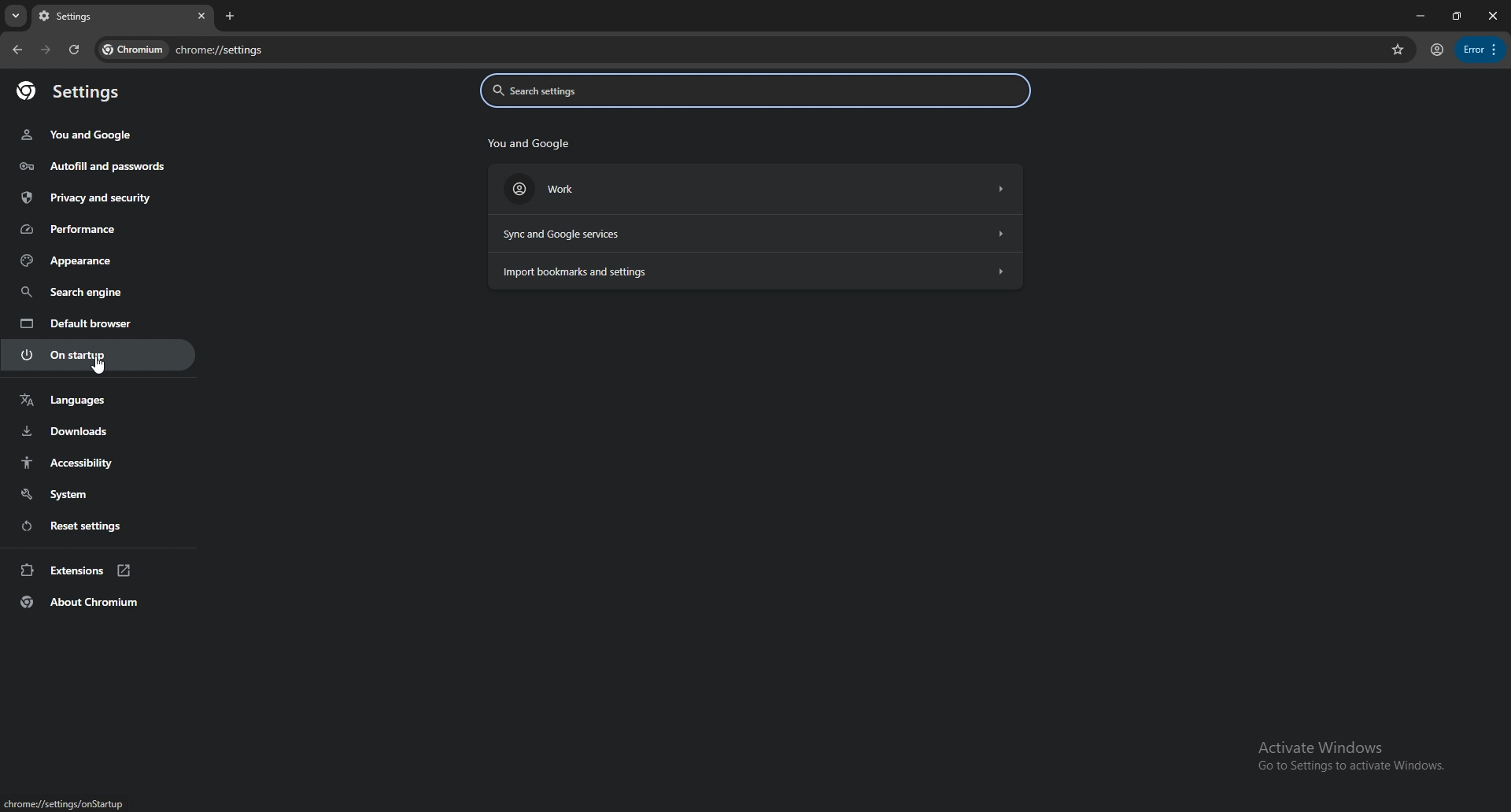  Describe the element at coordinates (758, 233) in the screenshot. I see `sync and google services` at that location.